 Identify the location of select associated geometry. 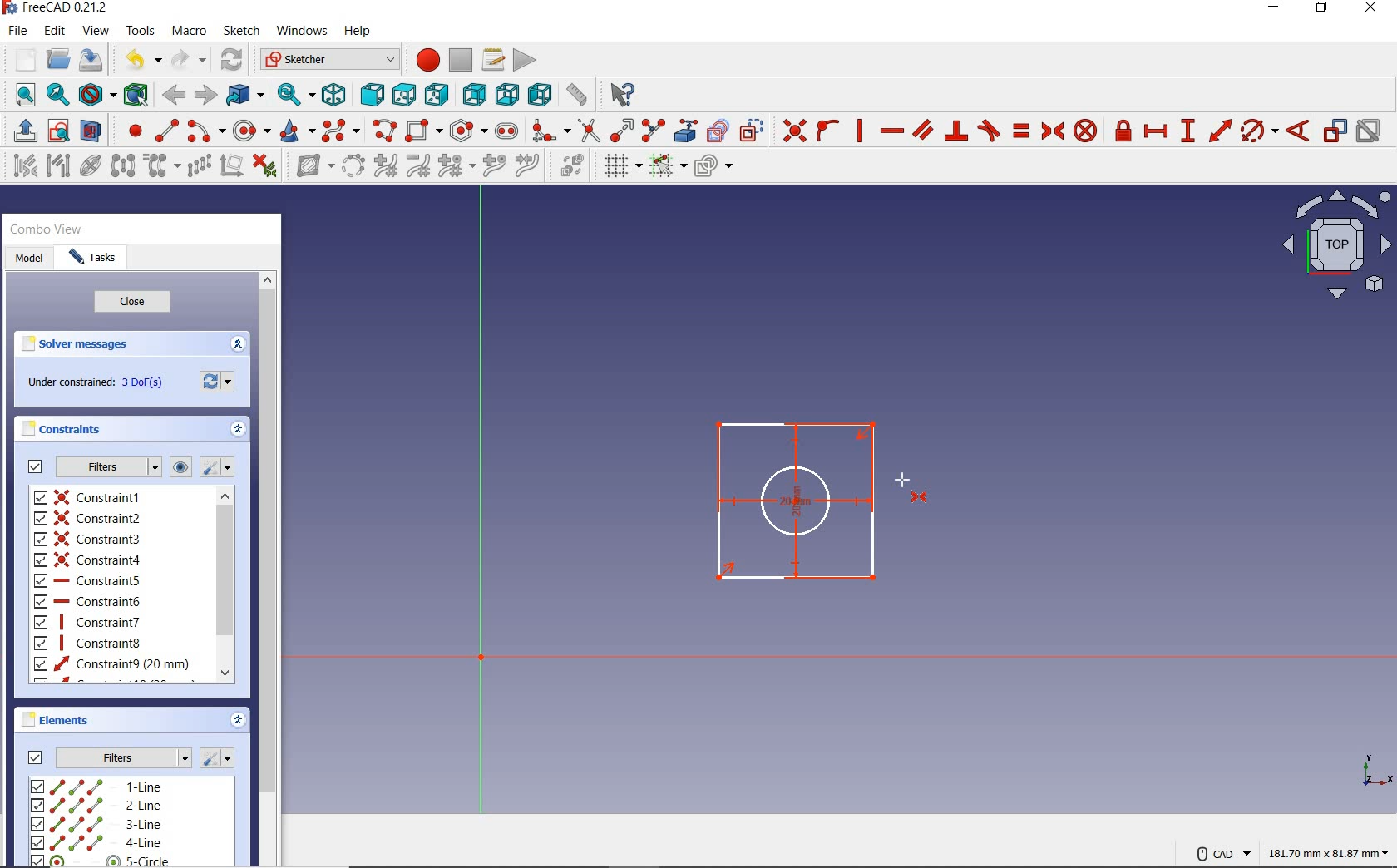
(57, 167).